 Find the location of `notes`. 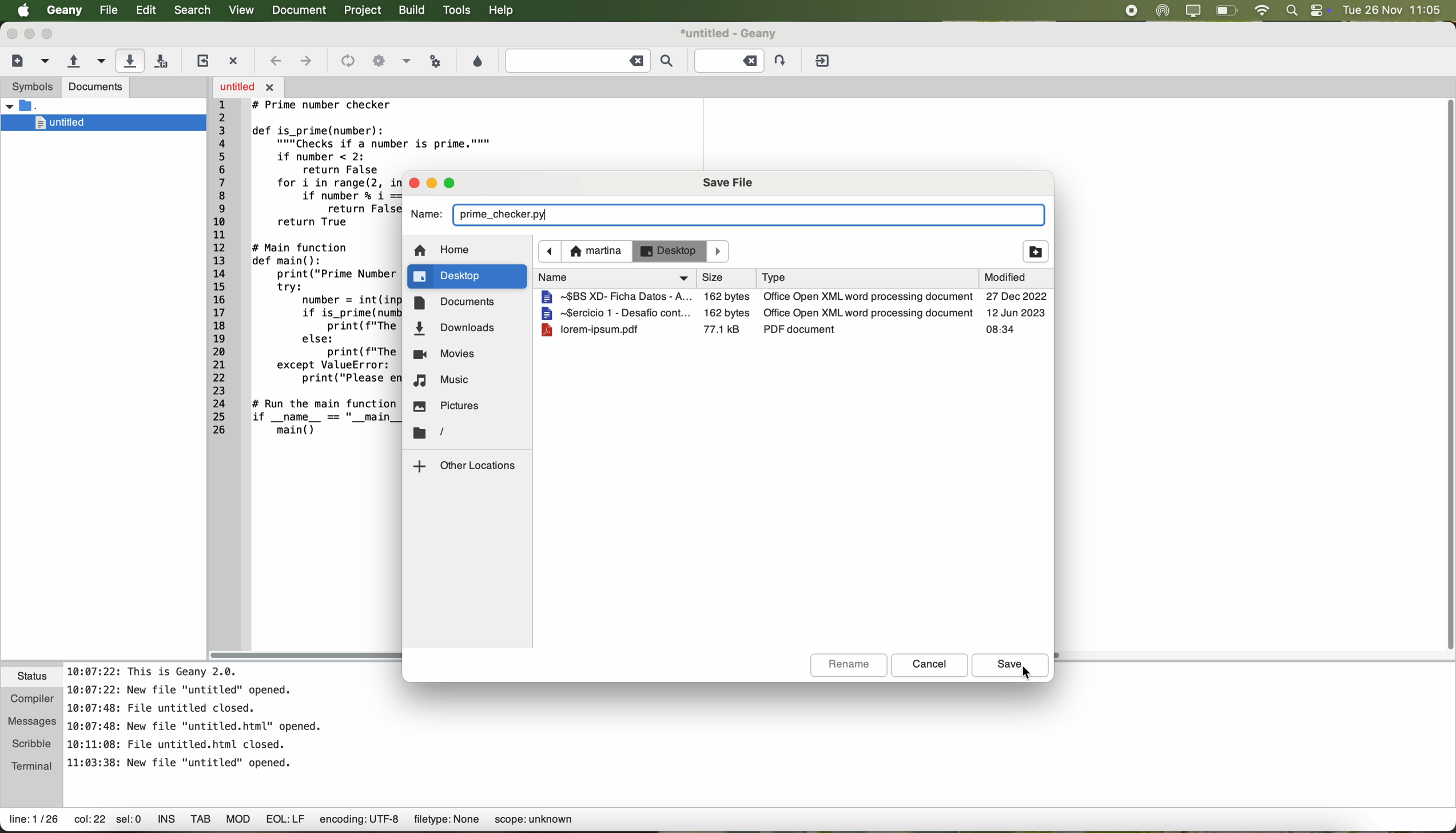

notes is located at coordinates (196, 716).